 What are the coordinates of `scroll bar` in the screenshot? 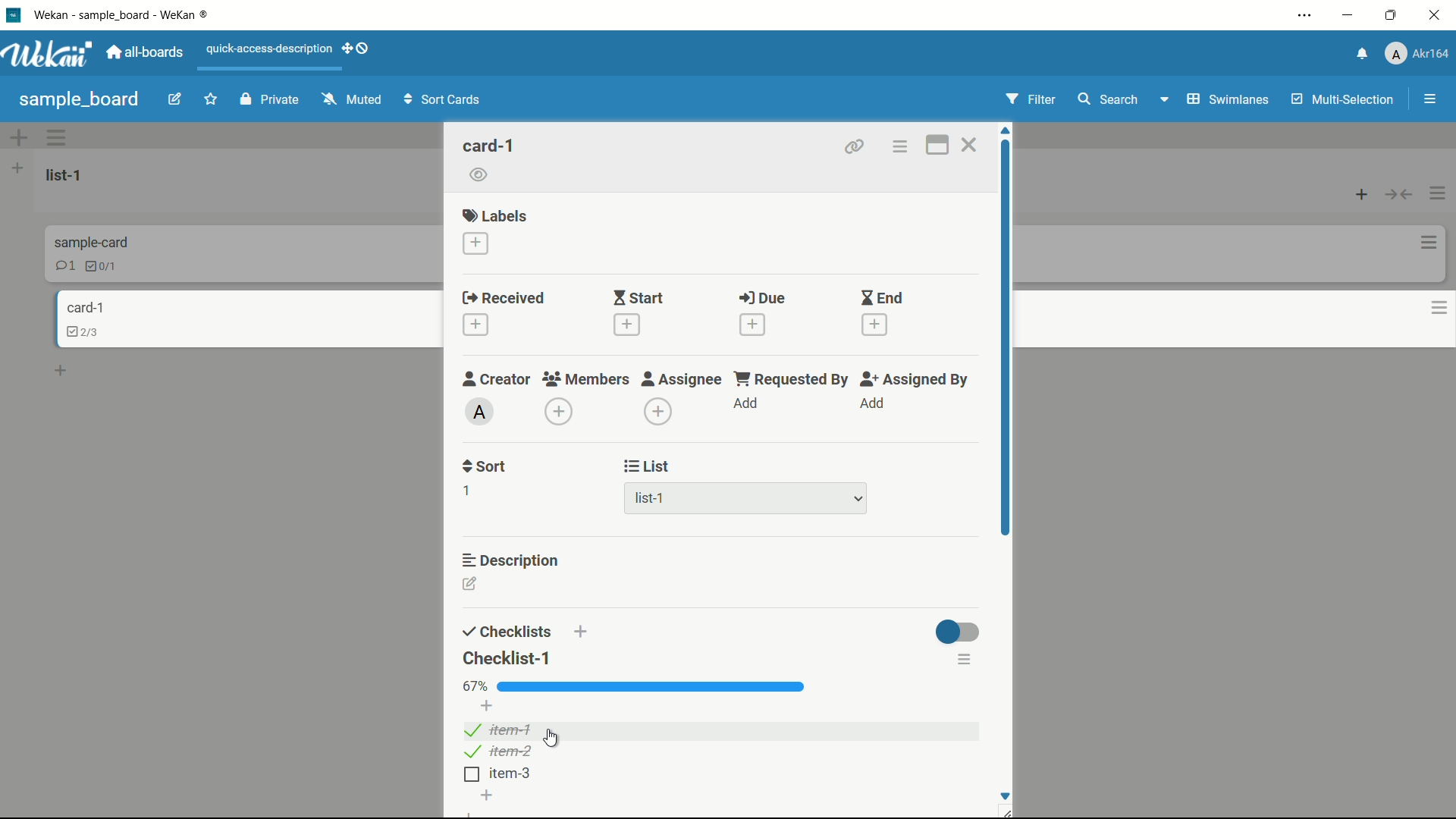 It's located at (1003, 337).